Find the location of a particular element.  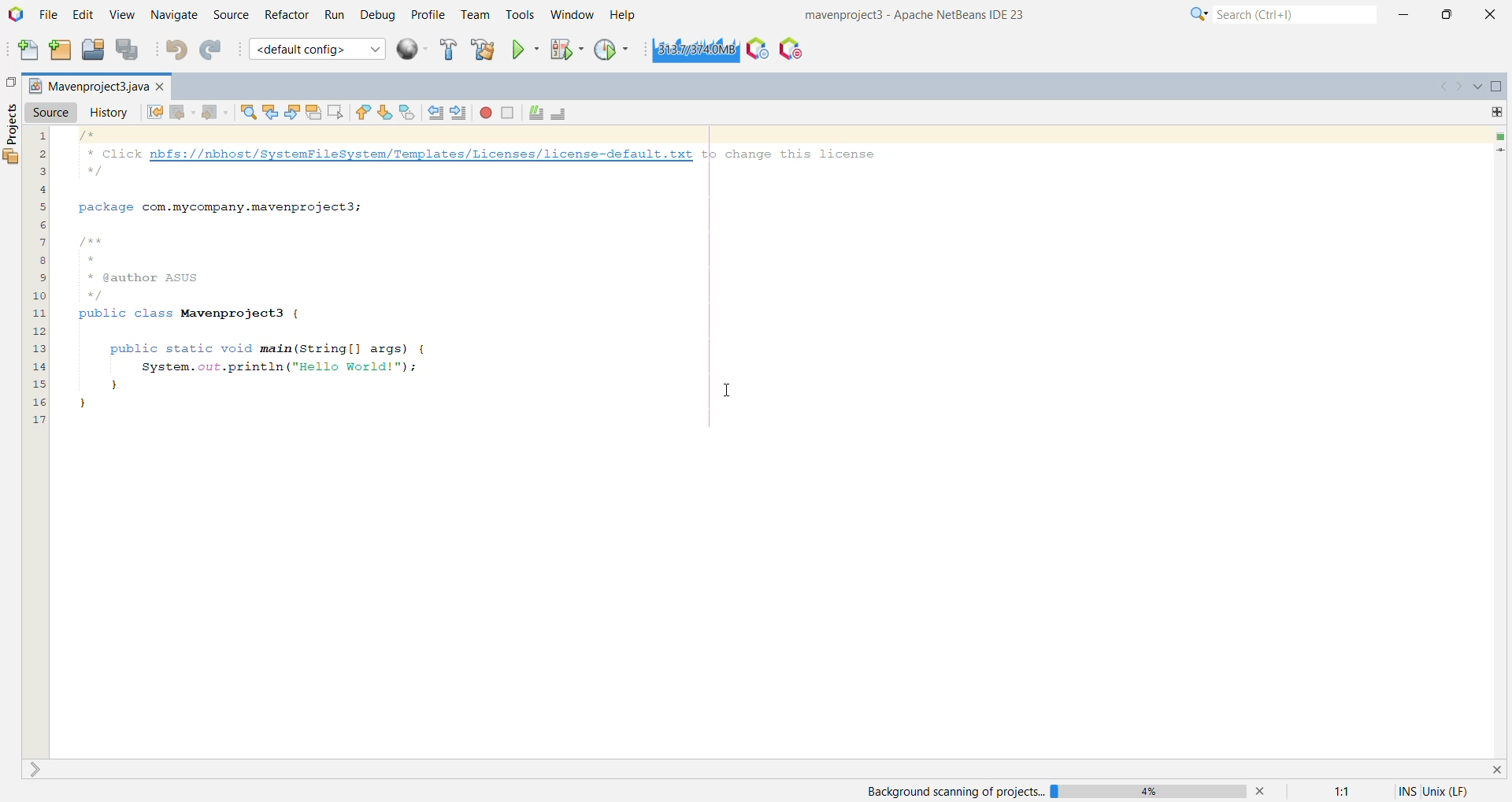

Debug Project is located at coordinates (565, 50).